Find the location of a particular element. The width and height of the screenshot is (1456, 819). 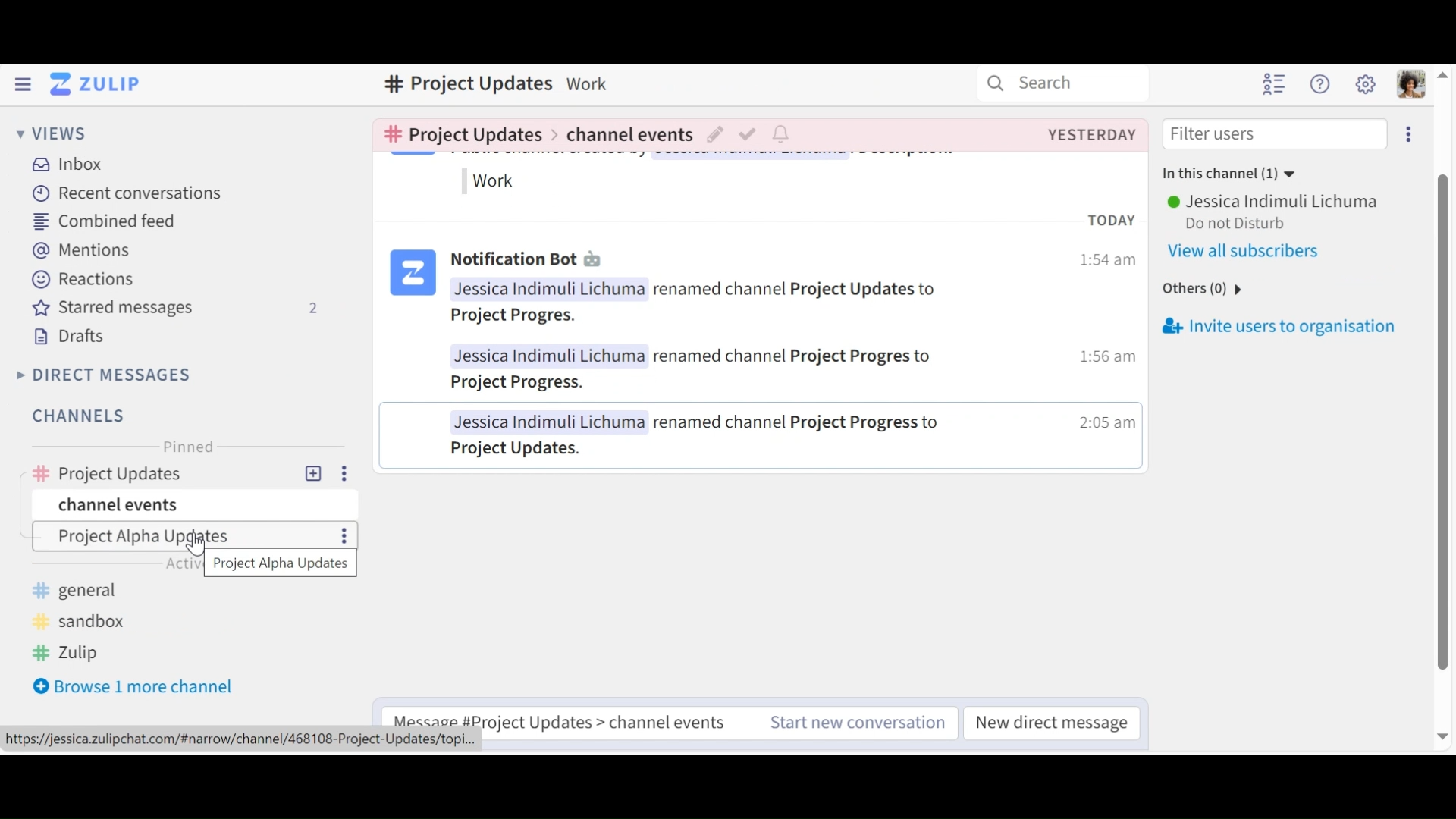

others(0) is located at coordinates (1197, 290).